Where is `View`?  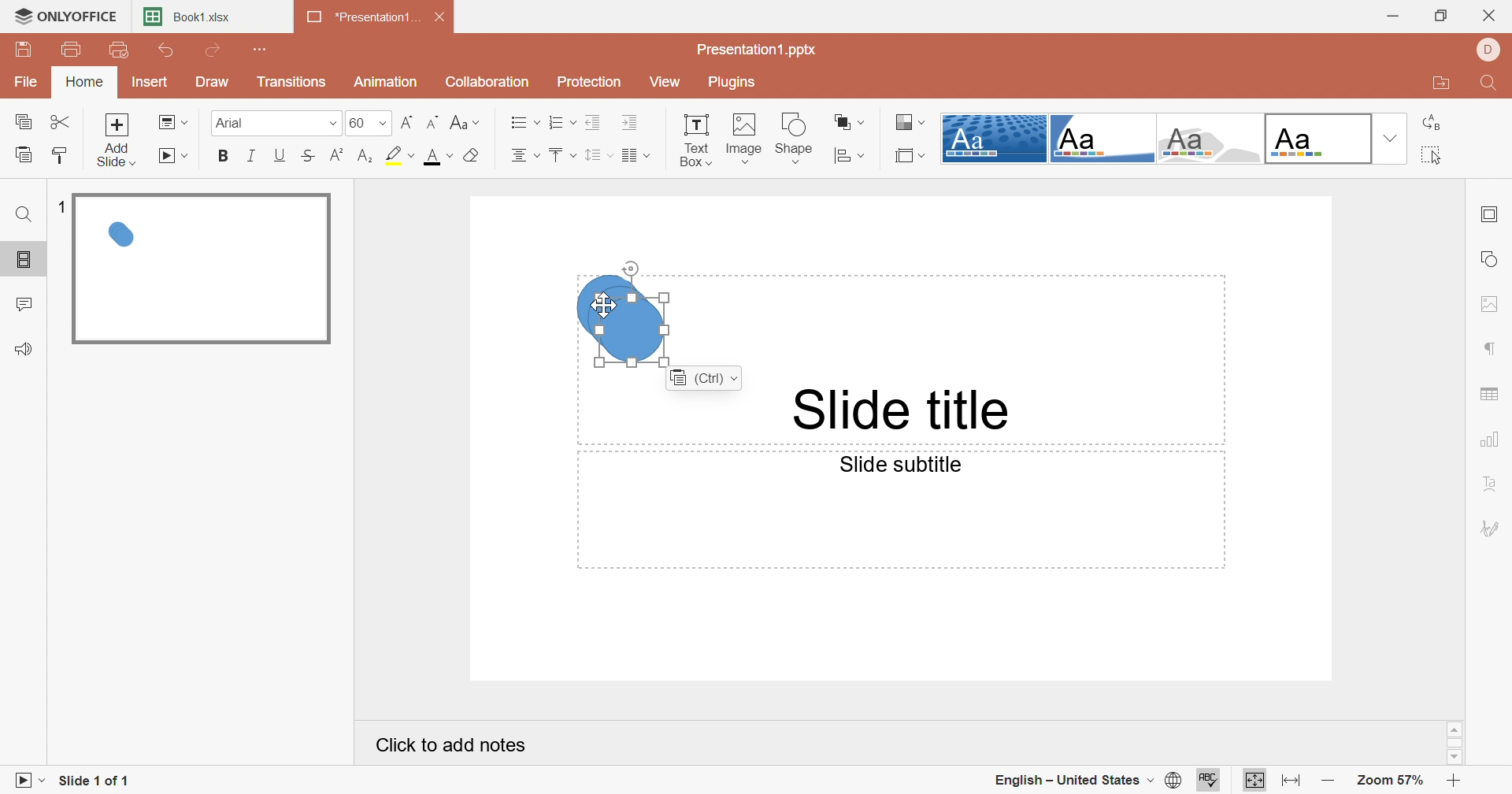 View is located at coordinates (672, 83).